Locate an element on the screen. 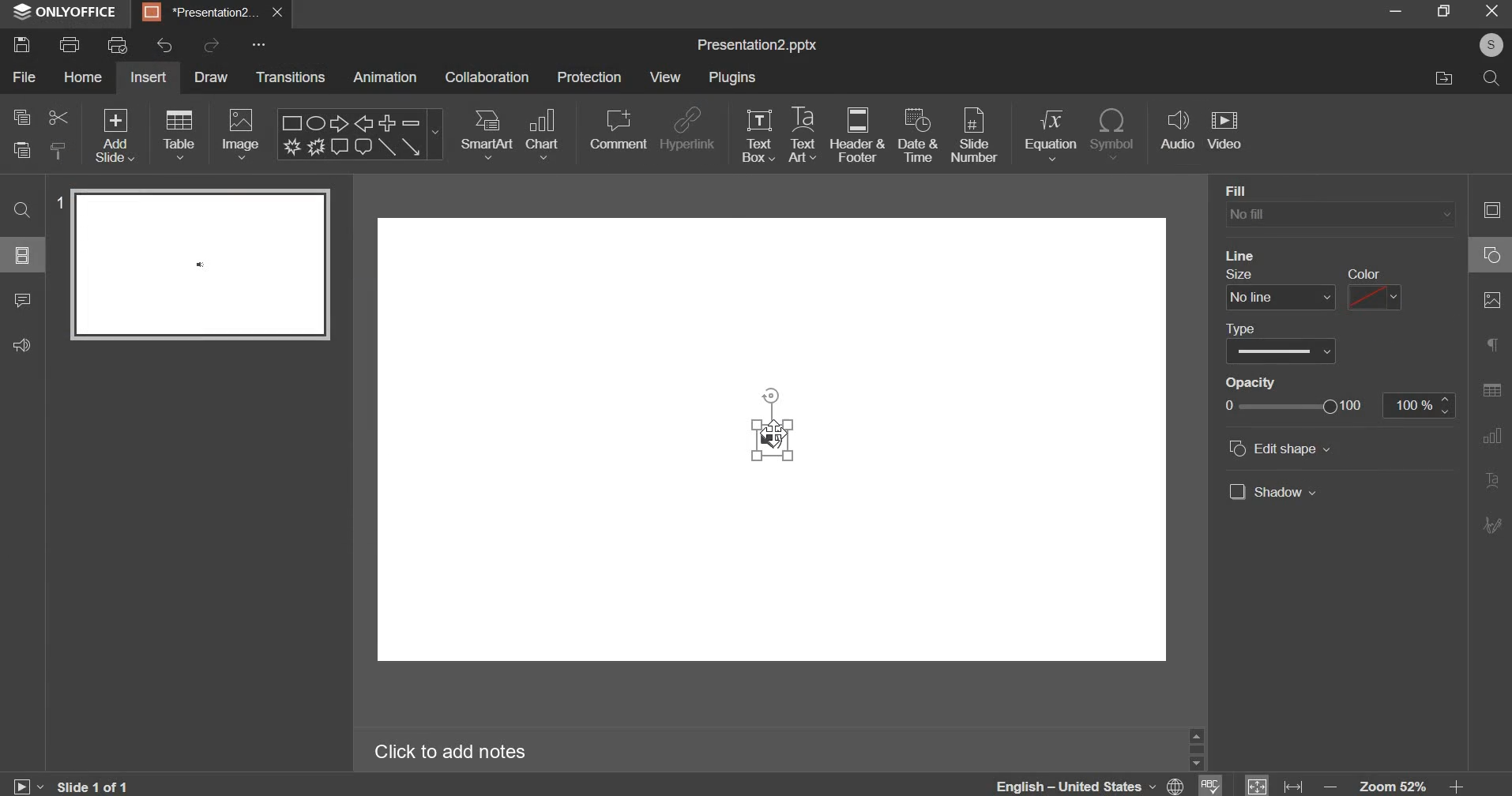 Image resolution: width=1512 pixels, height=796 pixels. comment is located at coordinates (619, 125).